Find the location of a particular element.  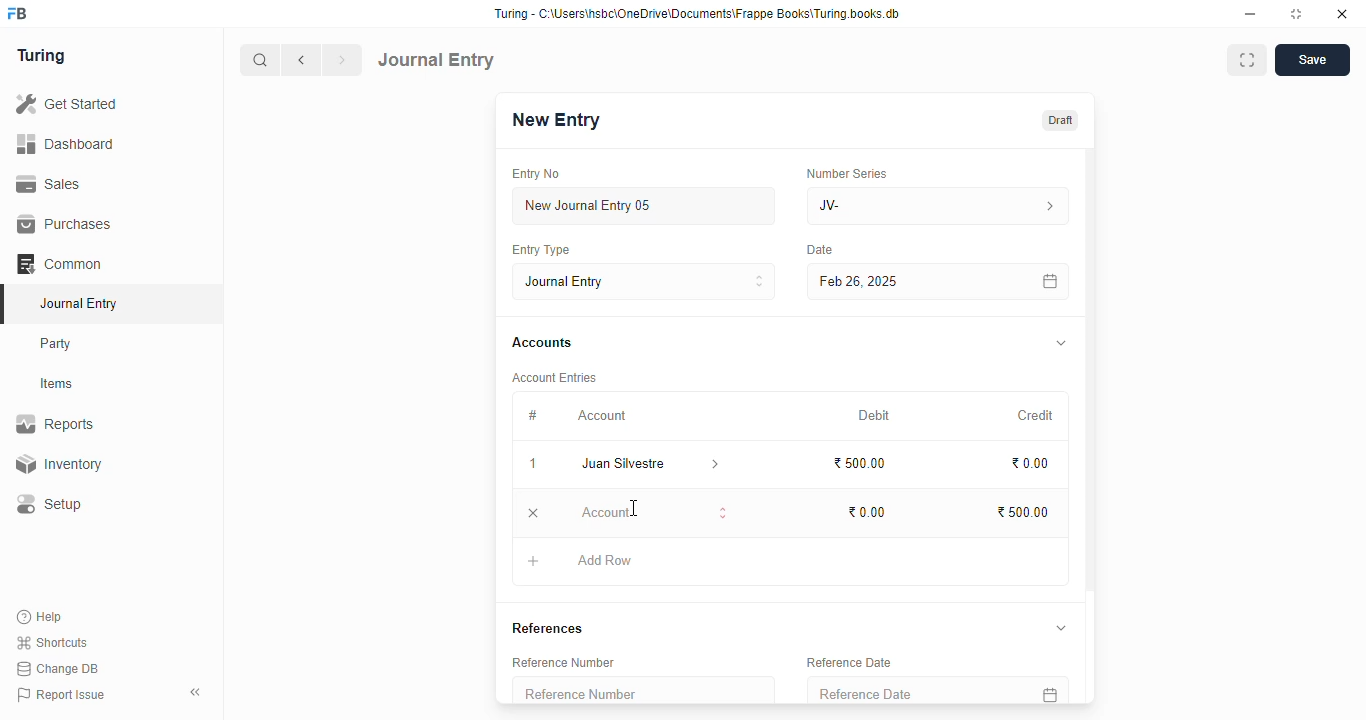

JV- is located at coordinates (939, 206).